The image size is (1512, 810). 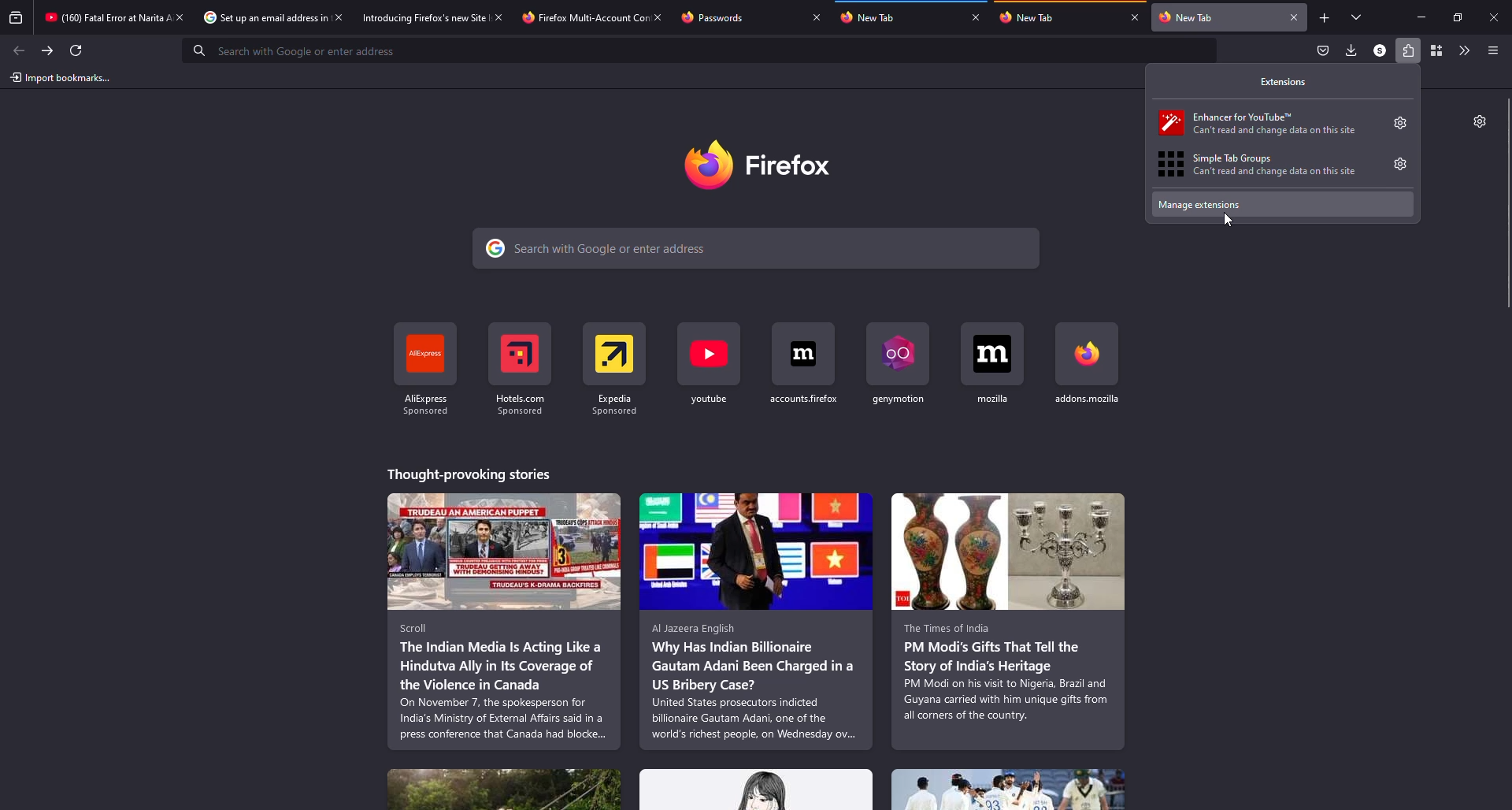 What do you see at coordinates (710, 369) in the screenshot?
I see `shortcut` at bounding box center [710, 369].